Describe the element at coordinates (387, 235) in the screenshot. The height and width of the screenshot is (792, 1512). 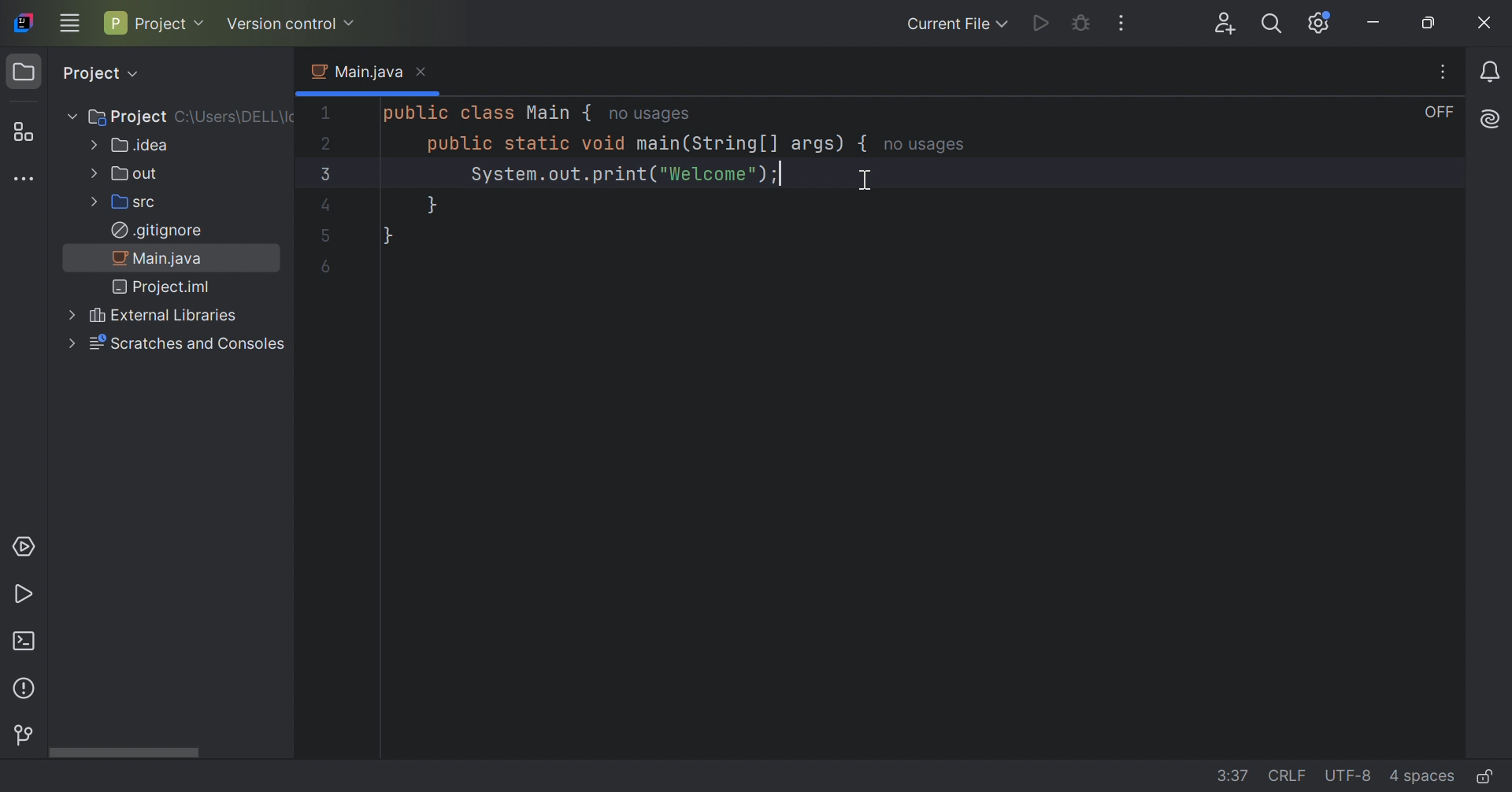
I see `}` at that location.